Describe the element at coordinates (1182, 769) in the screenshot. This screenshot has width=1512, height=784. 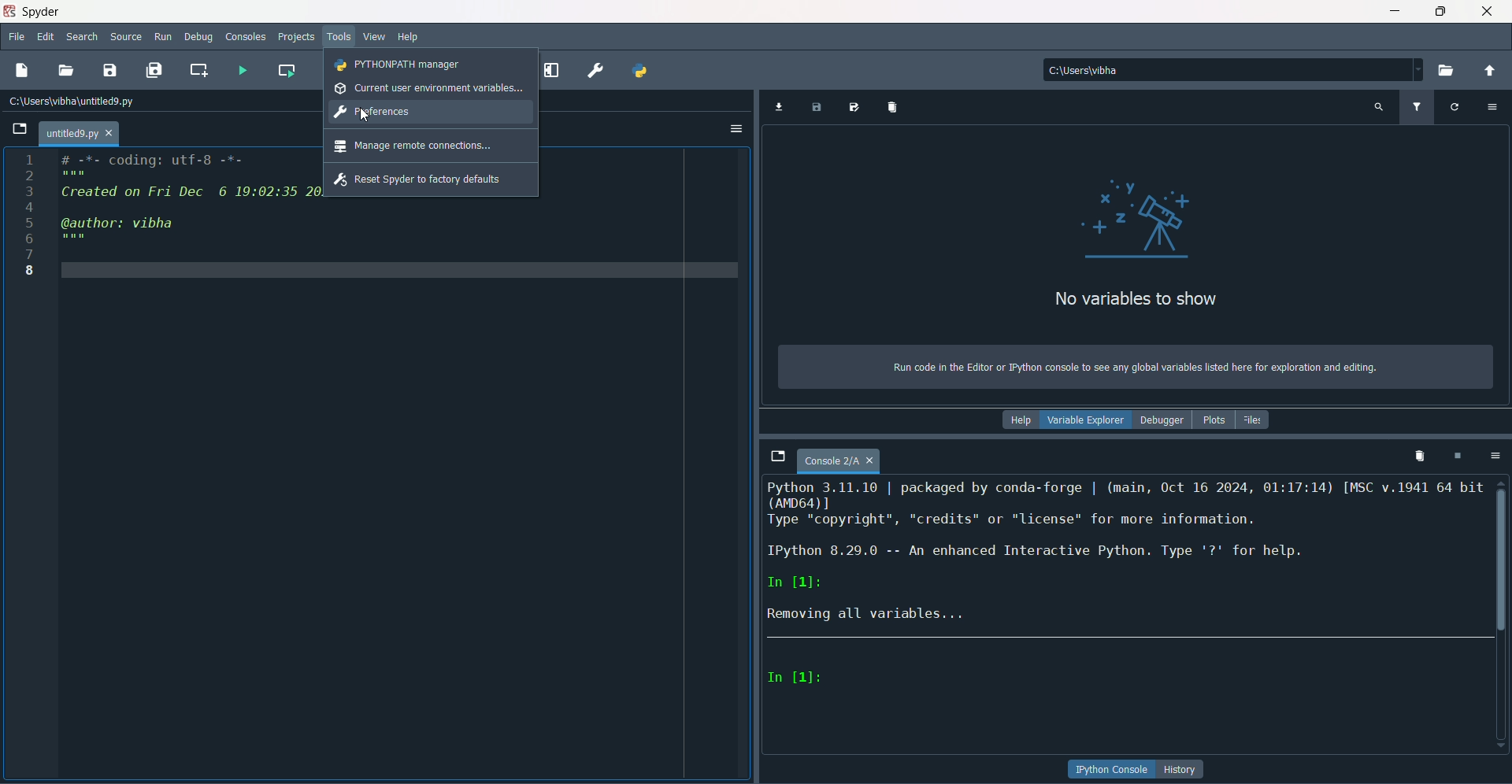
I see `button` at that location.